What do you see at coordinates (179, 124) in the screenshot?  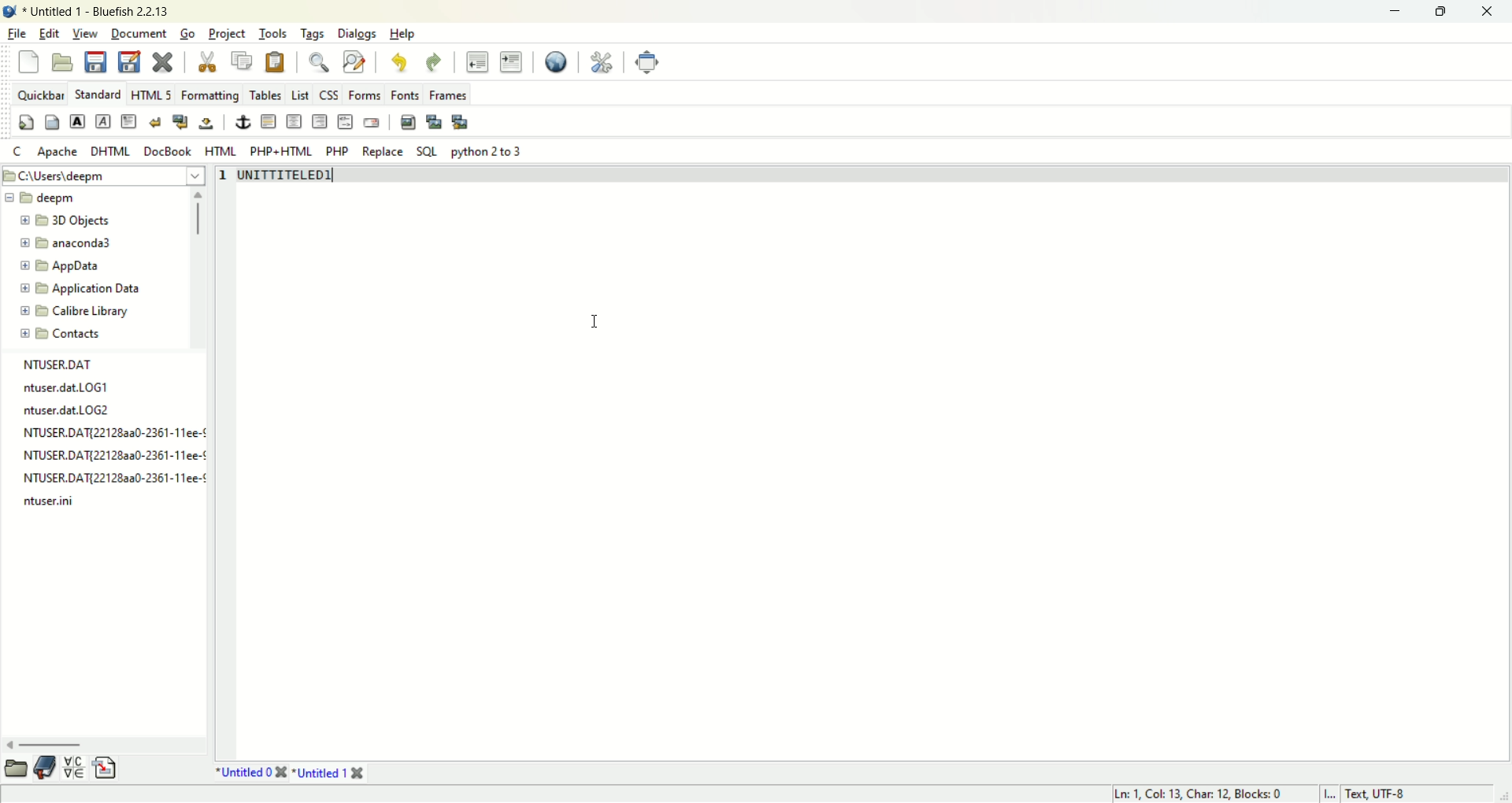 I see `break and clear` at bounding box center [179, 124].